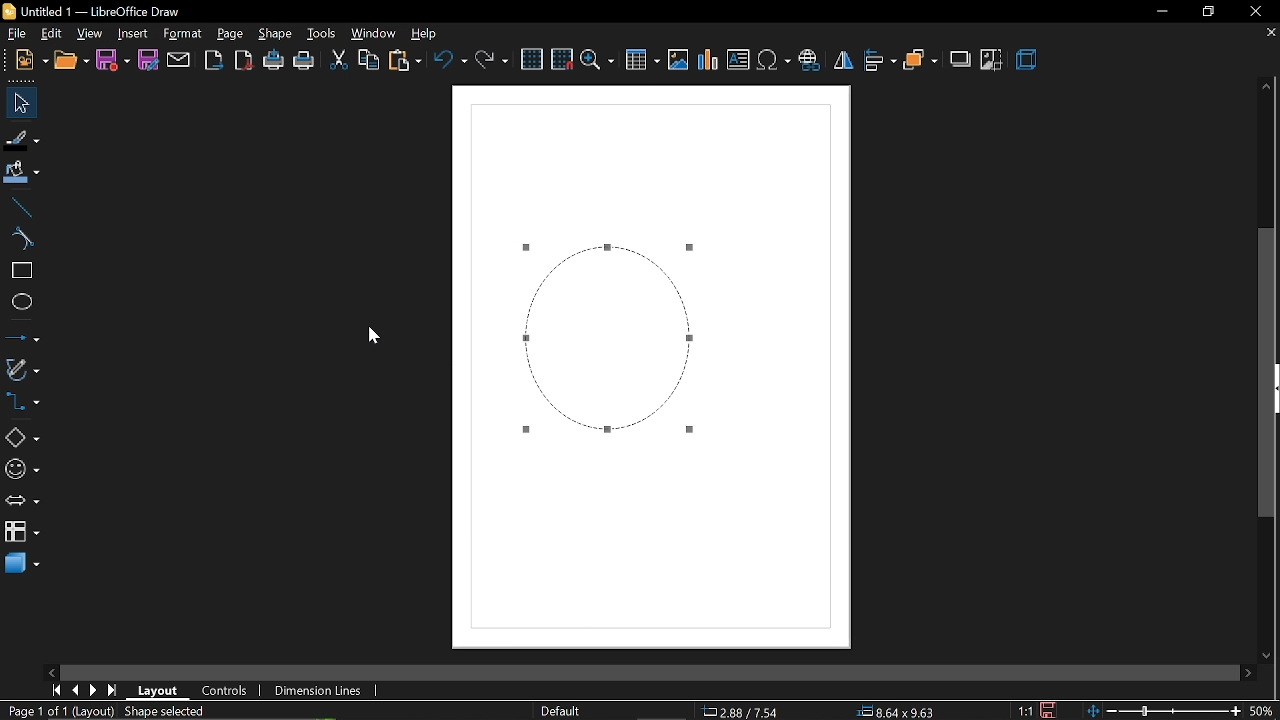  Describe the element at coordinates (94, 689) in the screenshot. I see `next page` at that location.